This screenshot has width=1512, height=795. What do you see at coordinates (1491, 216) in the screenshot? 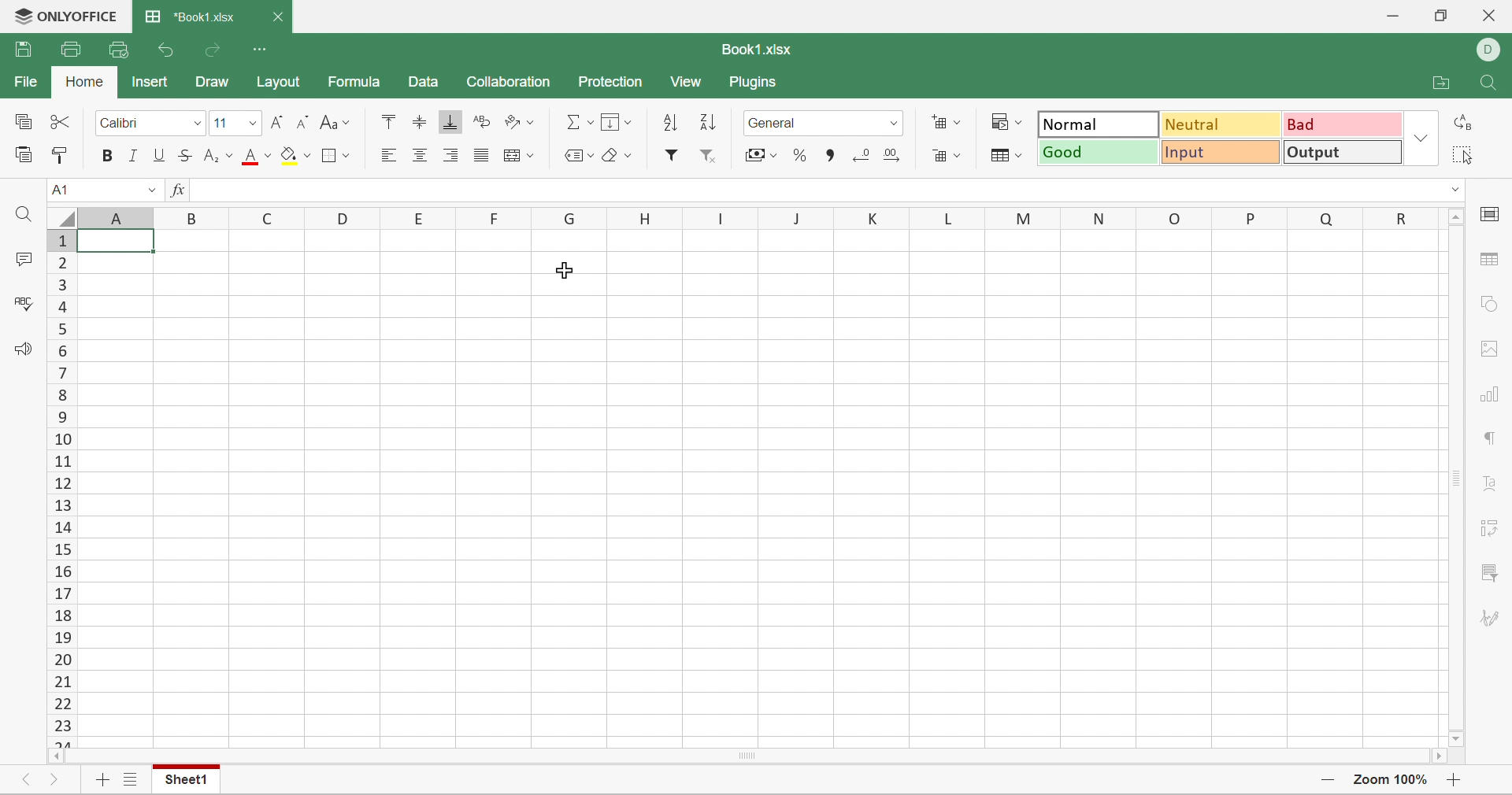
I see `Cell settings` at bounding box center [1491, 216].